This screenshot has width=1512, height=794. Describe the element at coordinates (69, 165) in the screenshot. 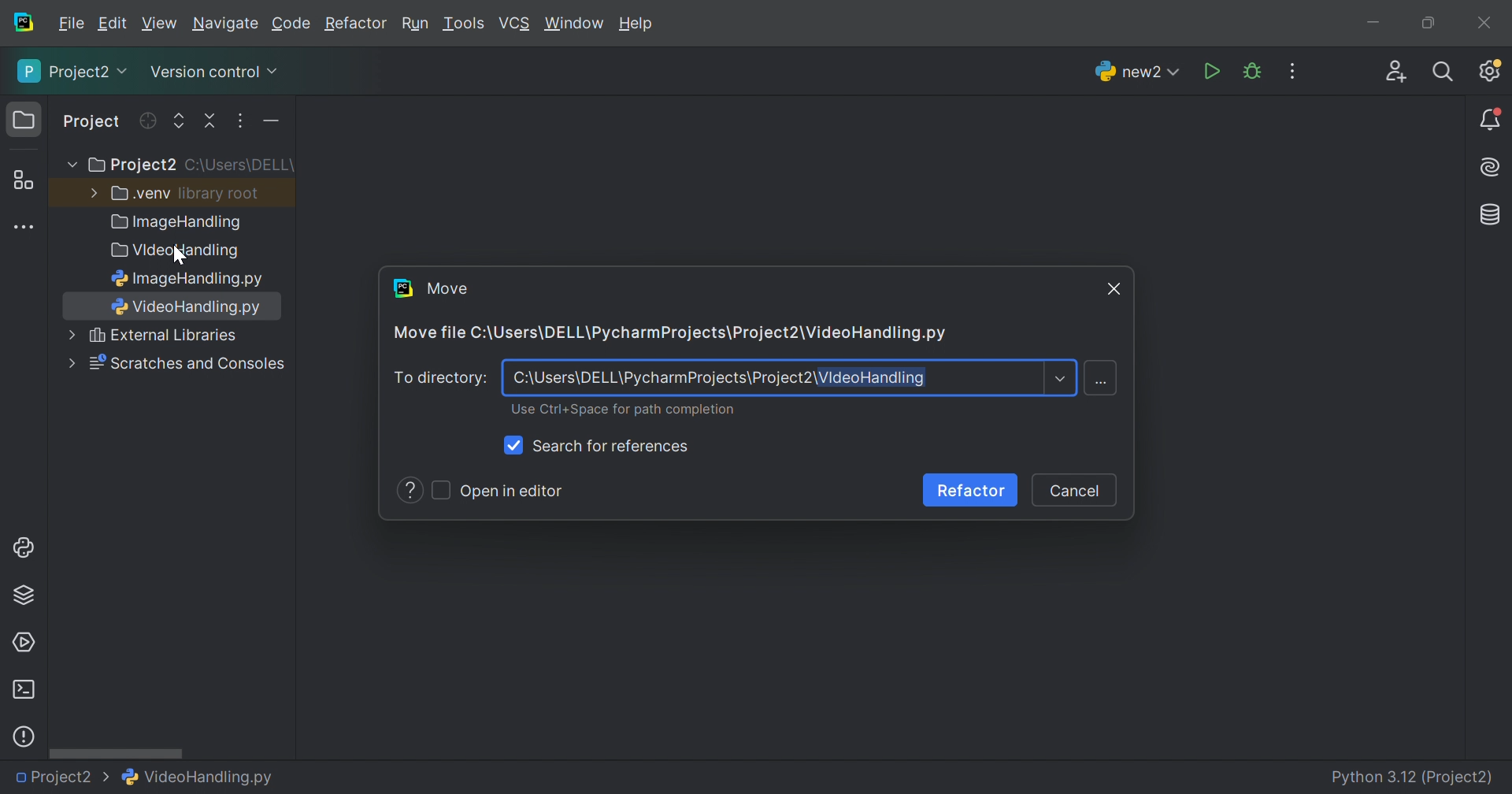

I see `More` at that location.